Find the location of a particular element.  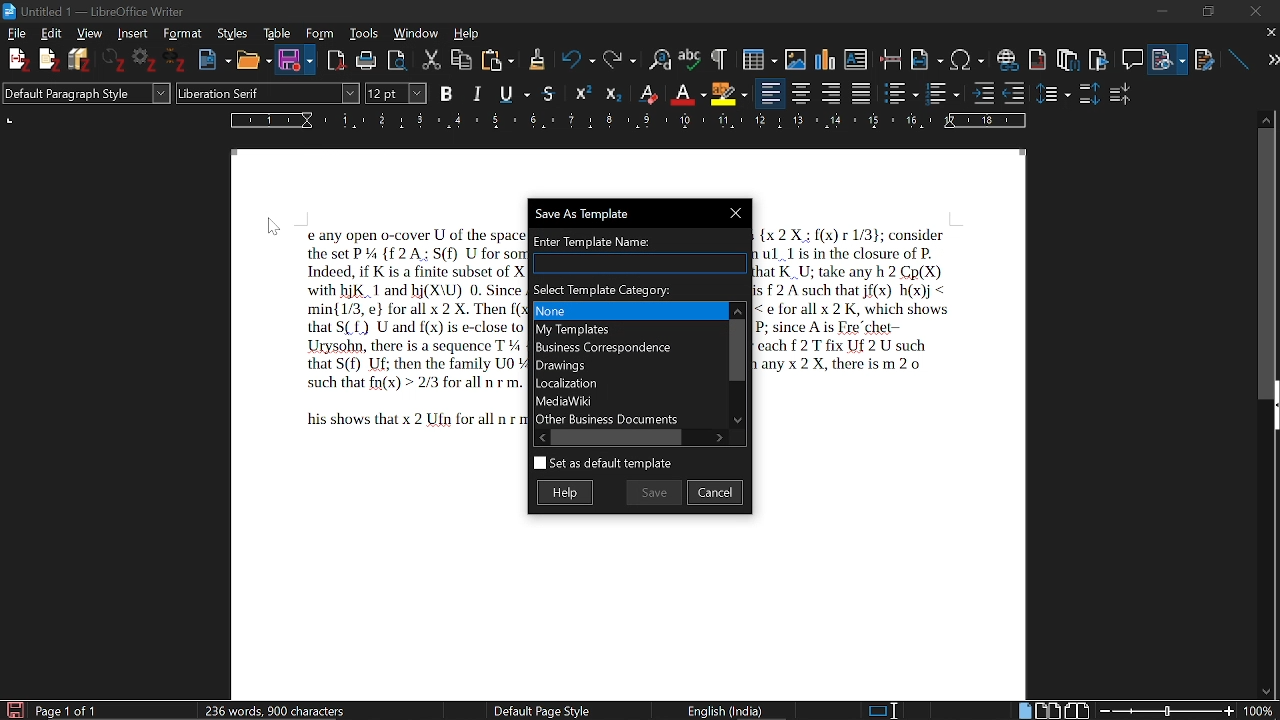

 is located at coordinates (983, 92).